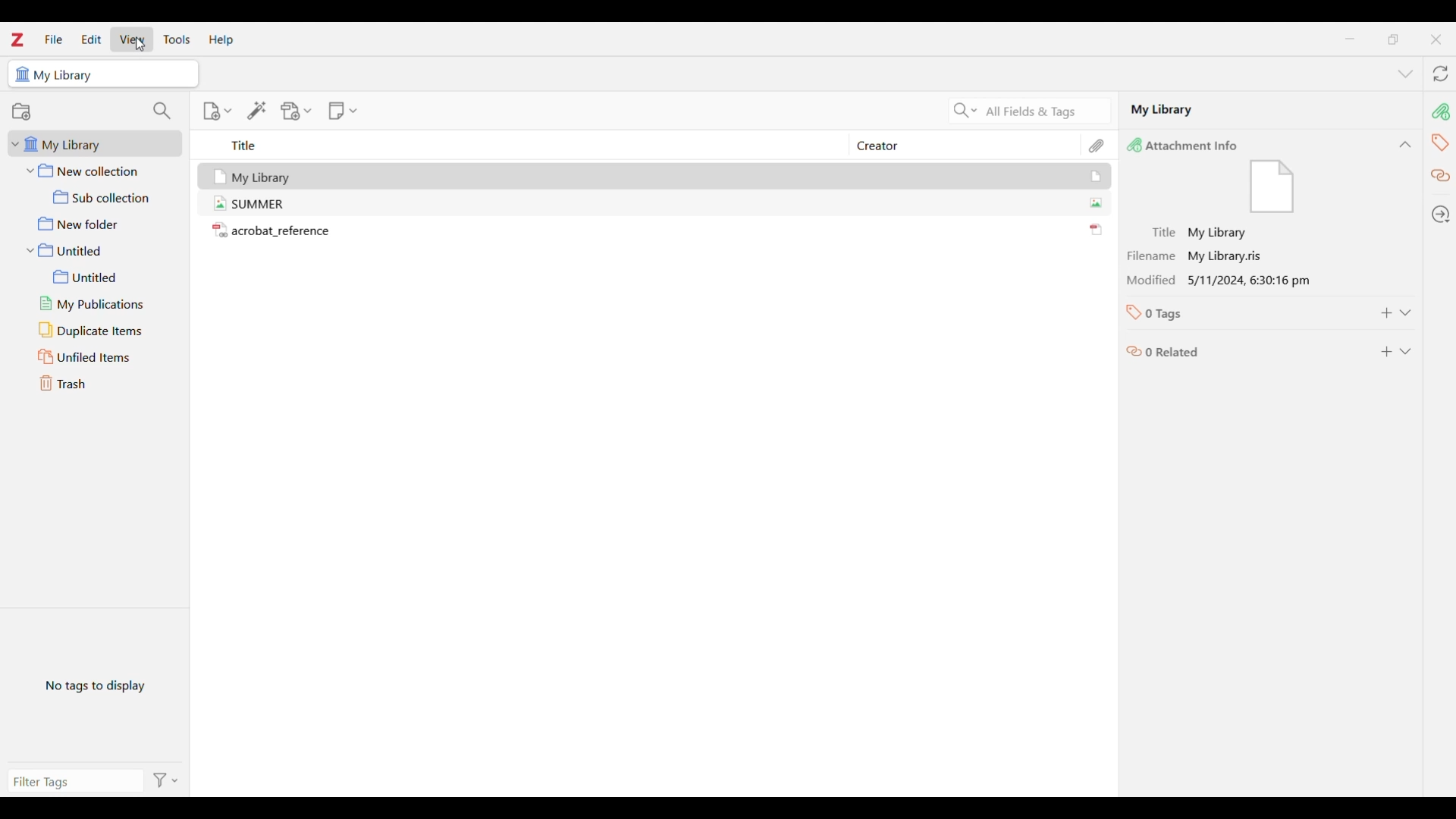 Image resolution: width=1456 pixels, height=819 pixels. I want to click on Selected file is highlighted, so click(1089, 177).